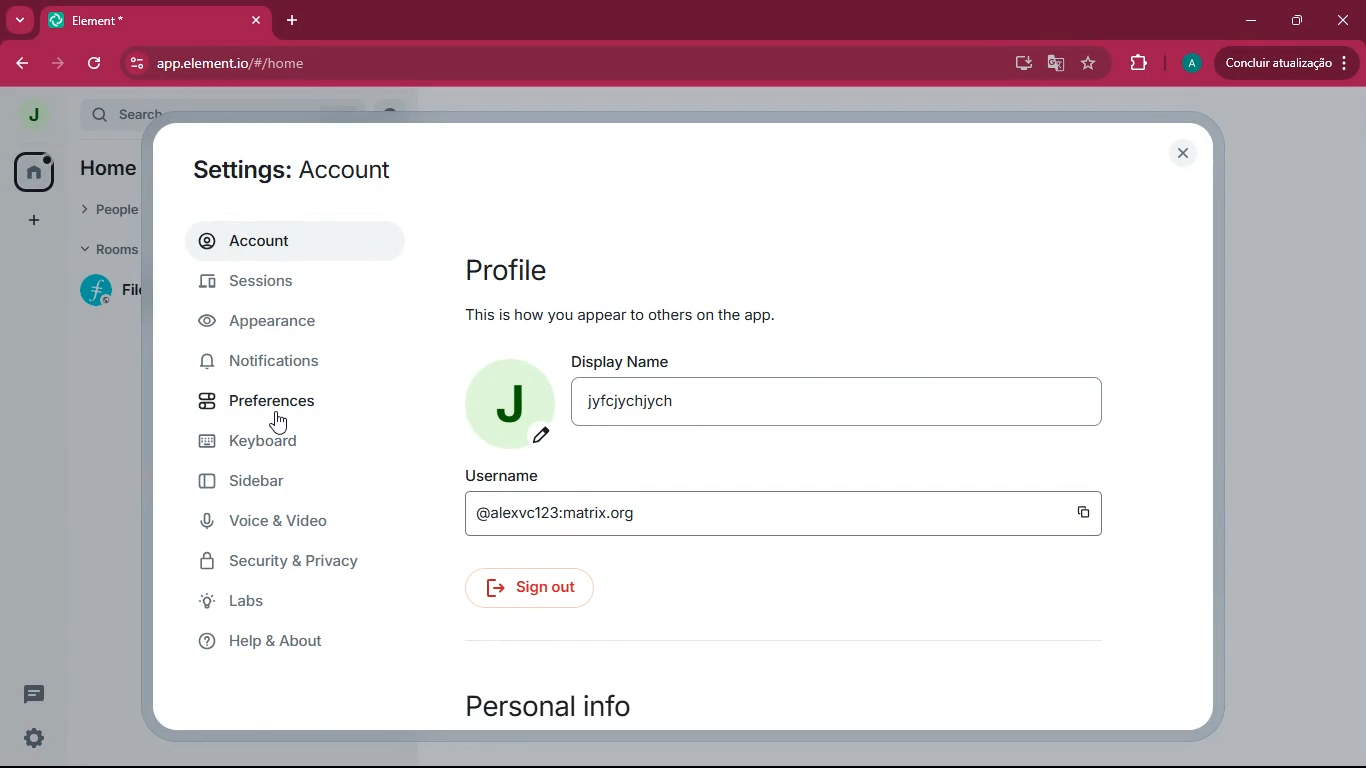 The height and width of the screenshot is (768, 1366). What do you see at coordinates (266, 282) in the screenshot?
I see `Sessions` at bounding box center [266, 282].